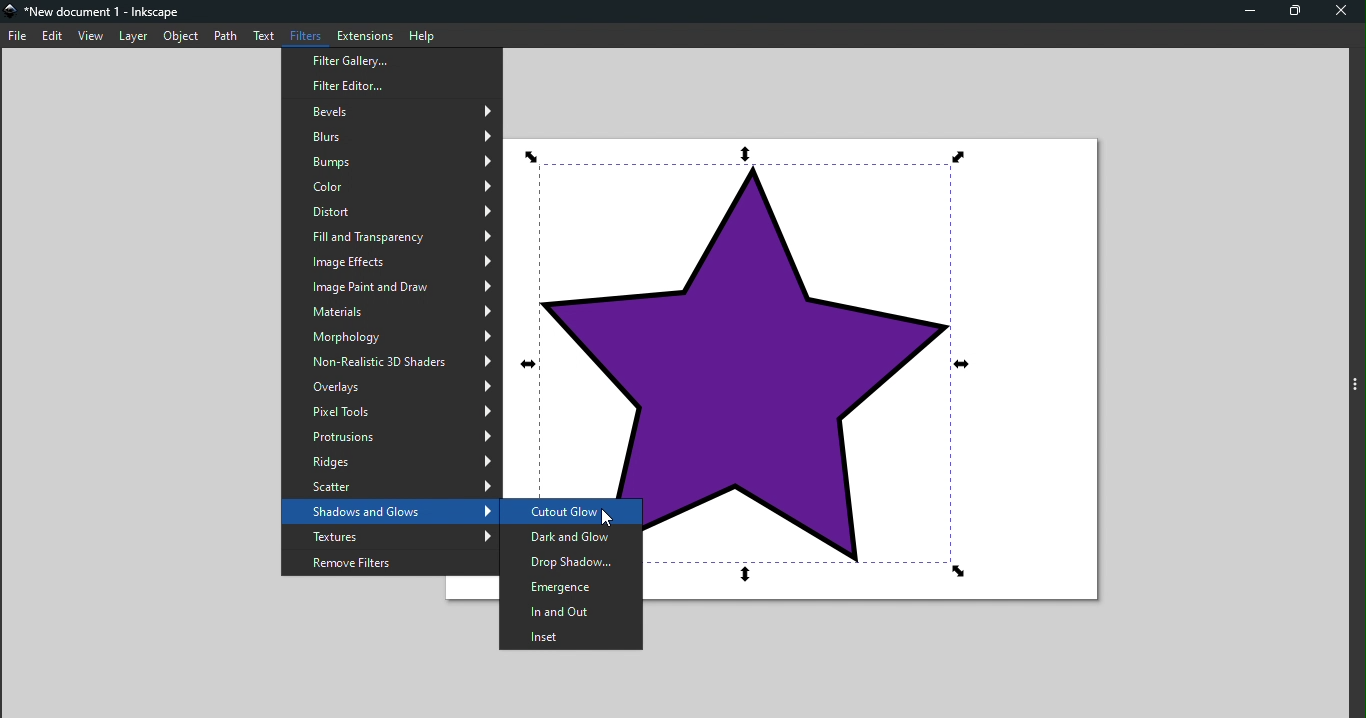  Describe the element at coordinates (361, 34) in the screenshot. I see `Extensions` at that location.